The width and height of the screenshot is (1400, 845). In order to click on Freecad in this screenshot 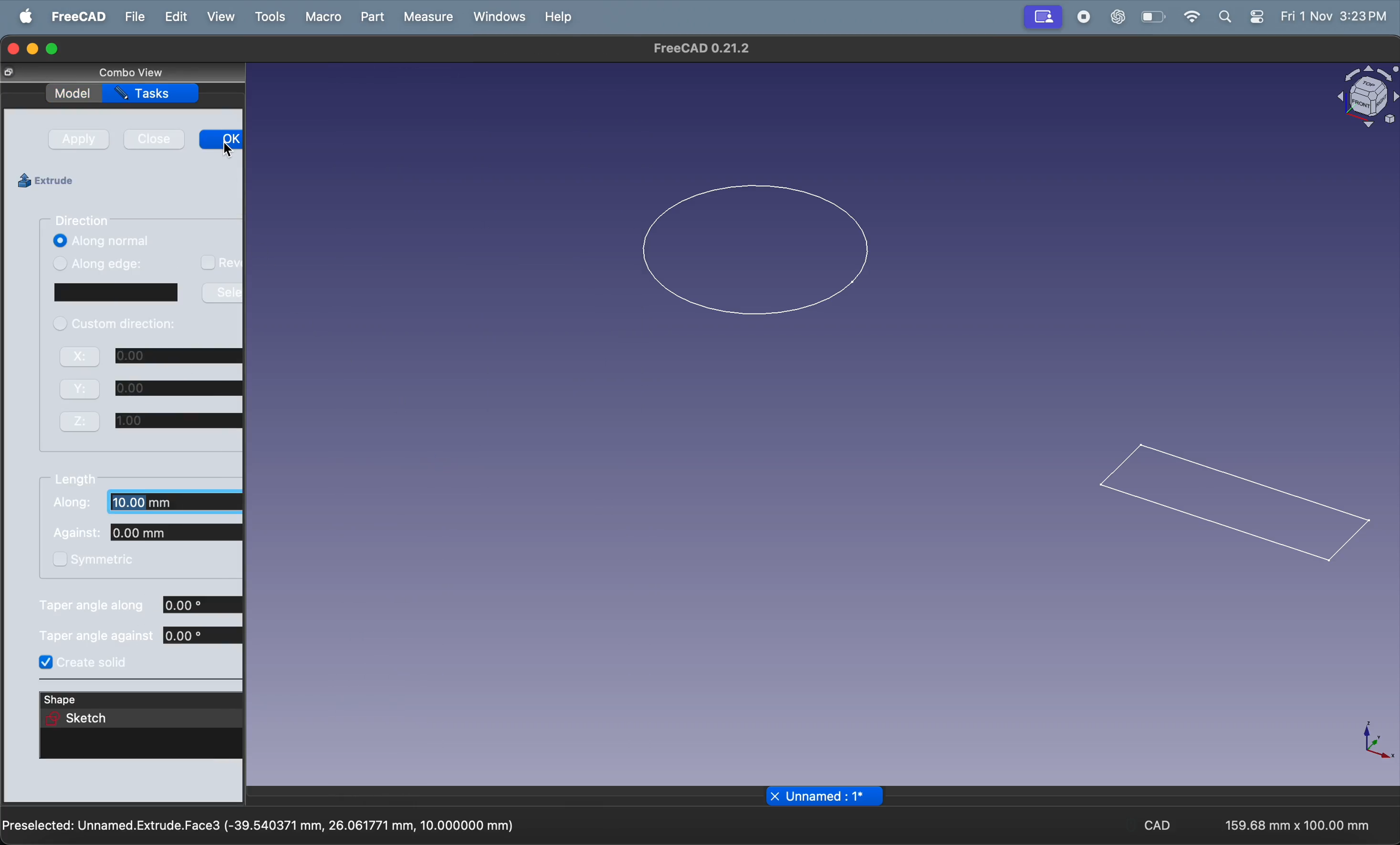, I will do `click(76, 16)`.